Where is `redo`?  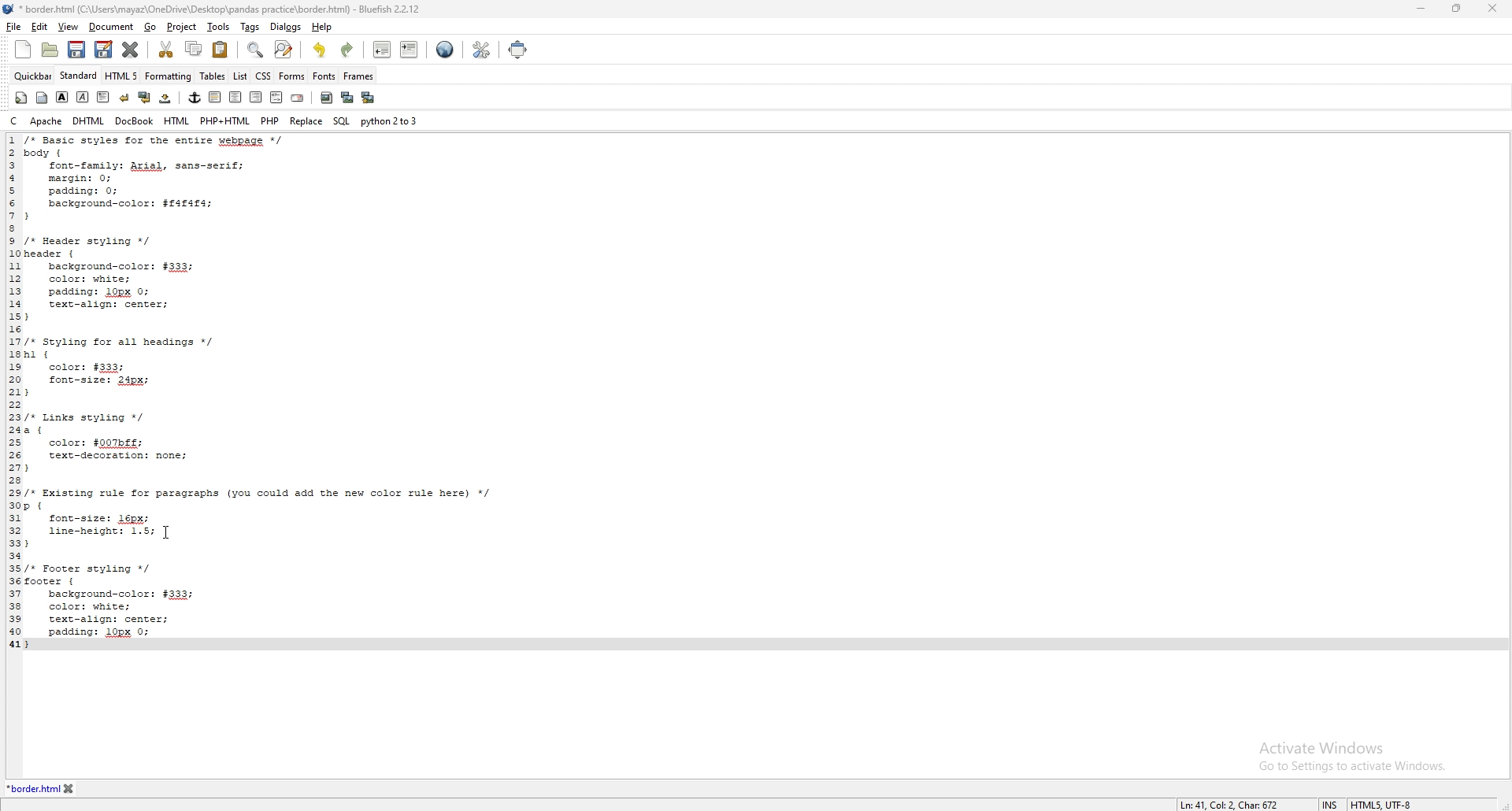 redo is located at coordinates (348, 50).